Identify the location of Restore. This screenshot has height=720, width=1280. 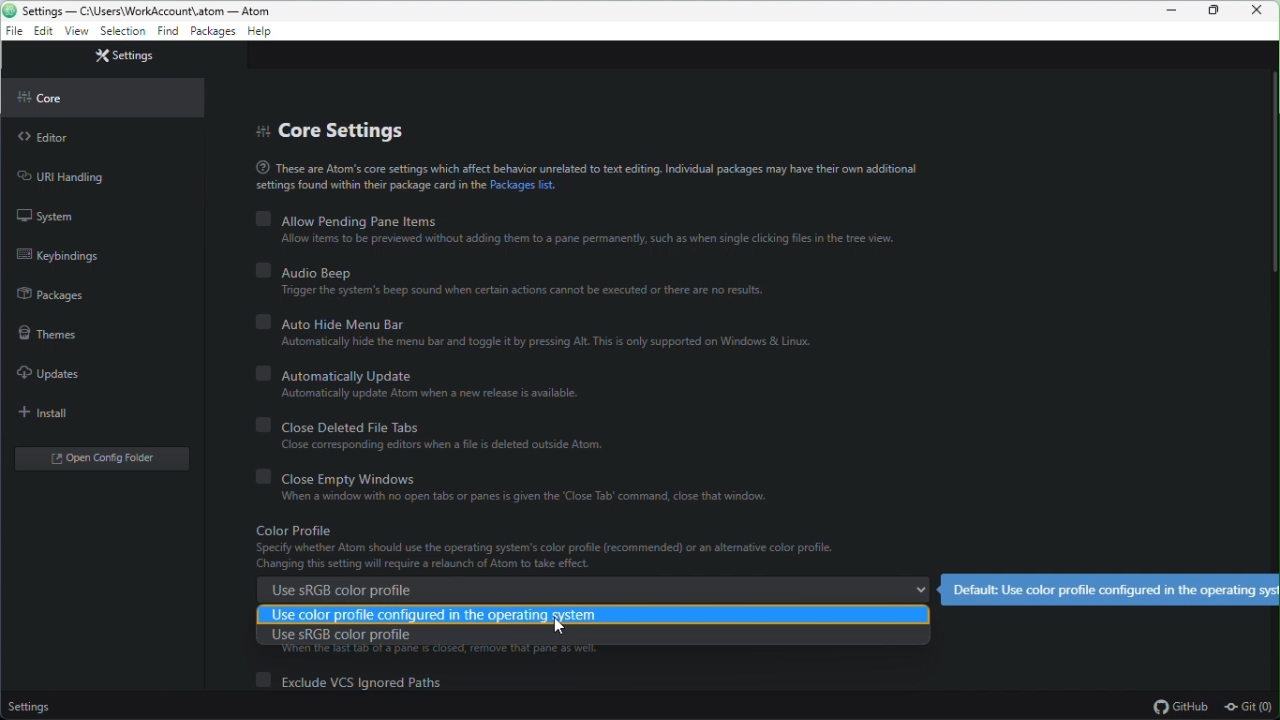
(1217, 11).